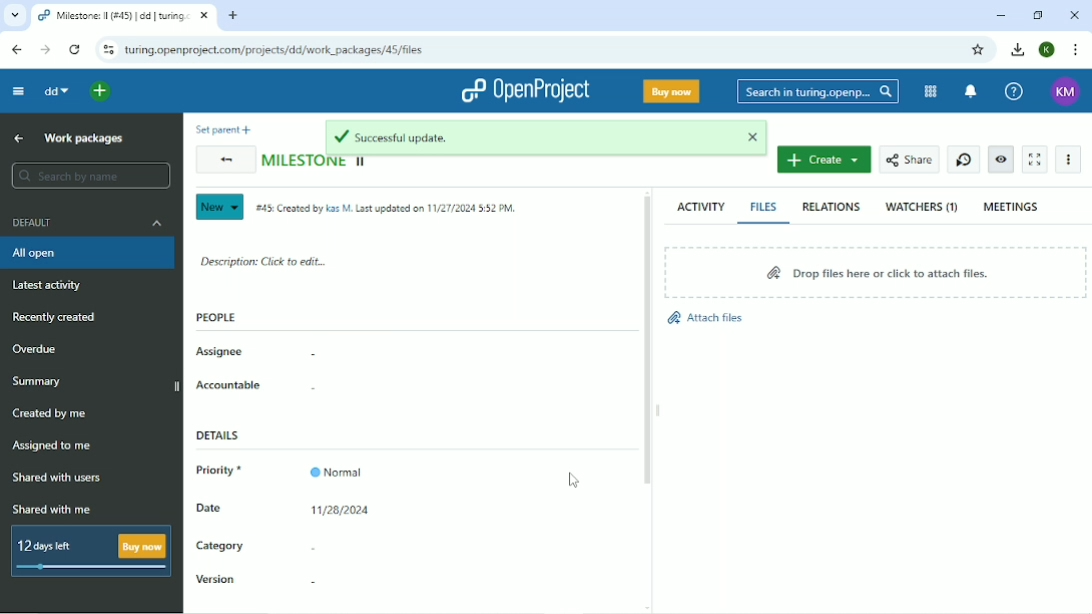 This screenshot has height=614, width=1092. Describe the element at coordinates (701, 206) in the screenshot. I see `Activity` at that location.